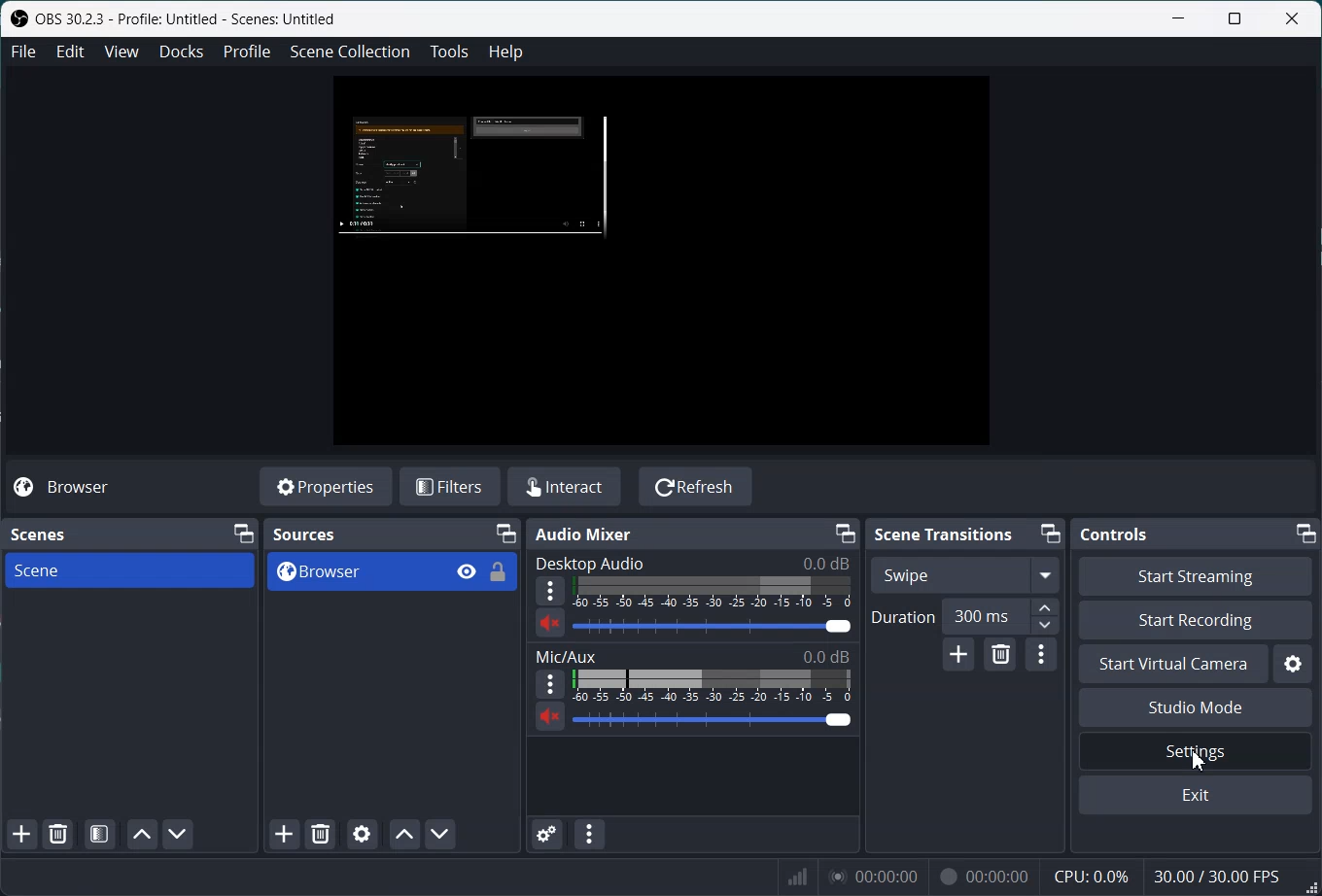  What do you see at coordinates (548, 718) in the screenshot?
I see `Mute/ Unmute` at bounding box center [548, 718].